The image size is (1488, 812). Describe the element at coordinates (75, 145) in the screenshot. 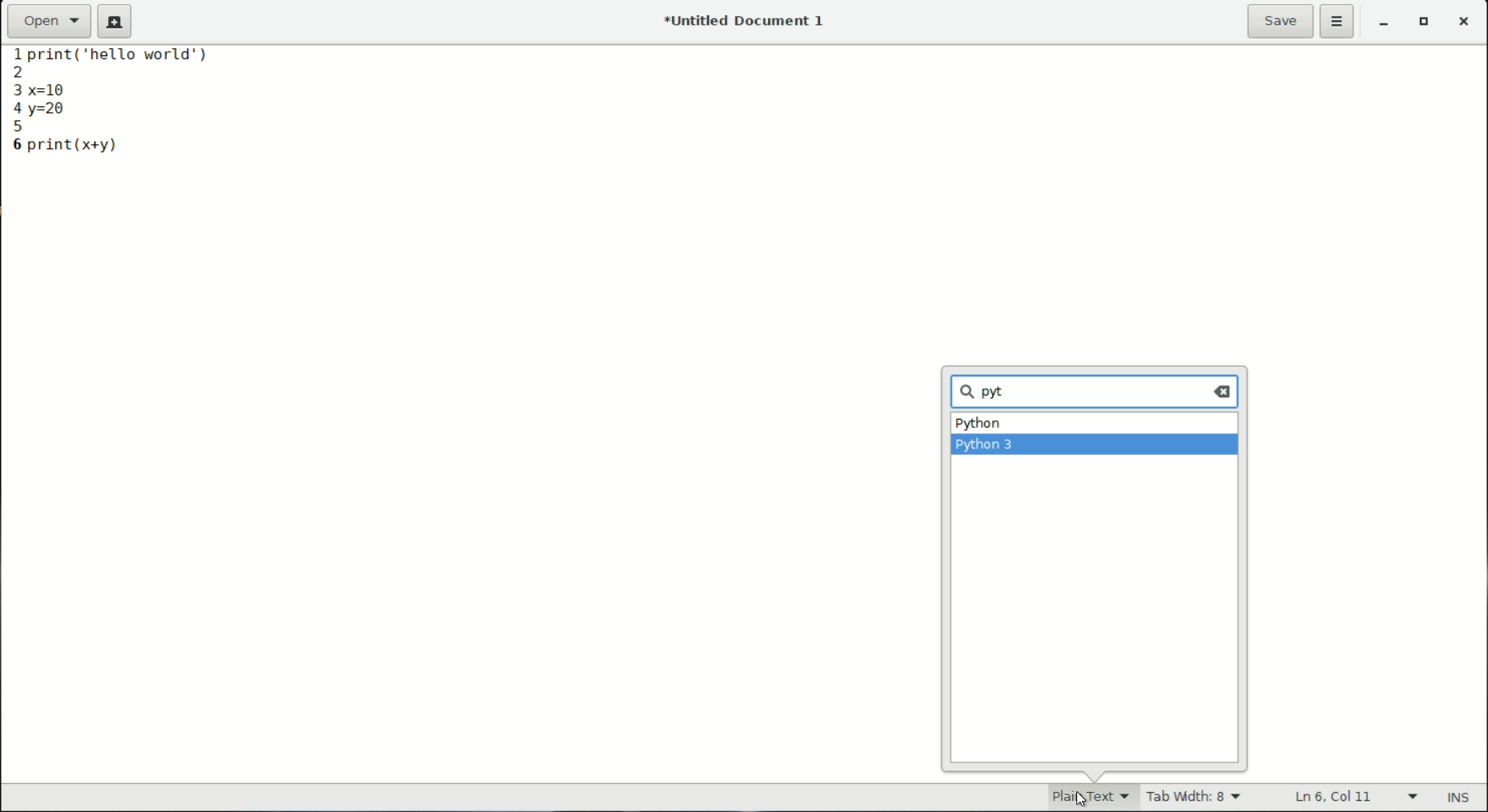

I see `print x + y` at that location.